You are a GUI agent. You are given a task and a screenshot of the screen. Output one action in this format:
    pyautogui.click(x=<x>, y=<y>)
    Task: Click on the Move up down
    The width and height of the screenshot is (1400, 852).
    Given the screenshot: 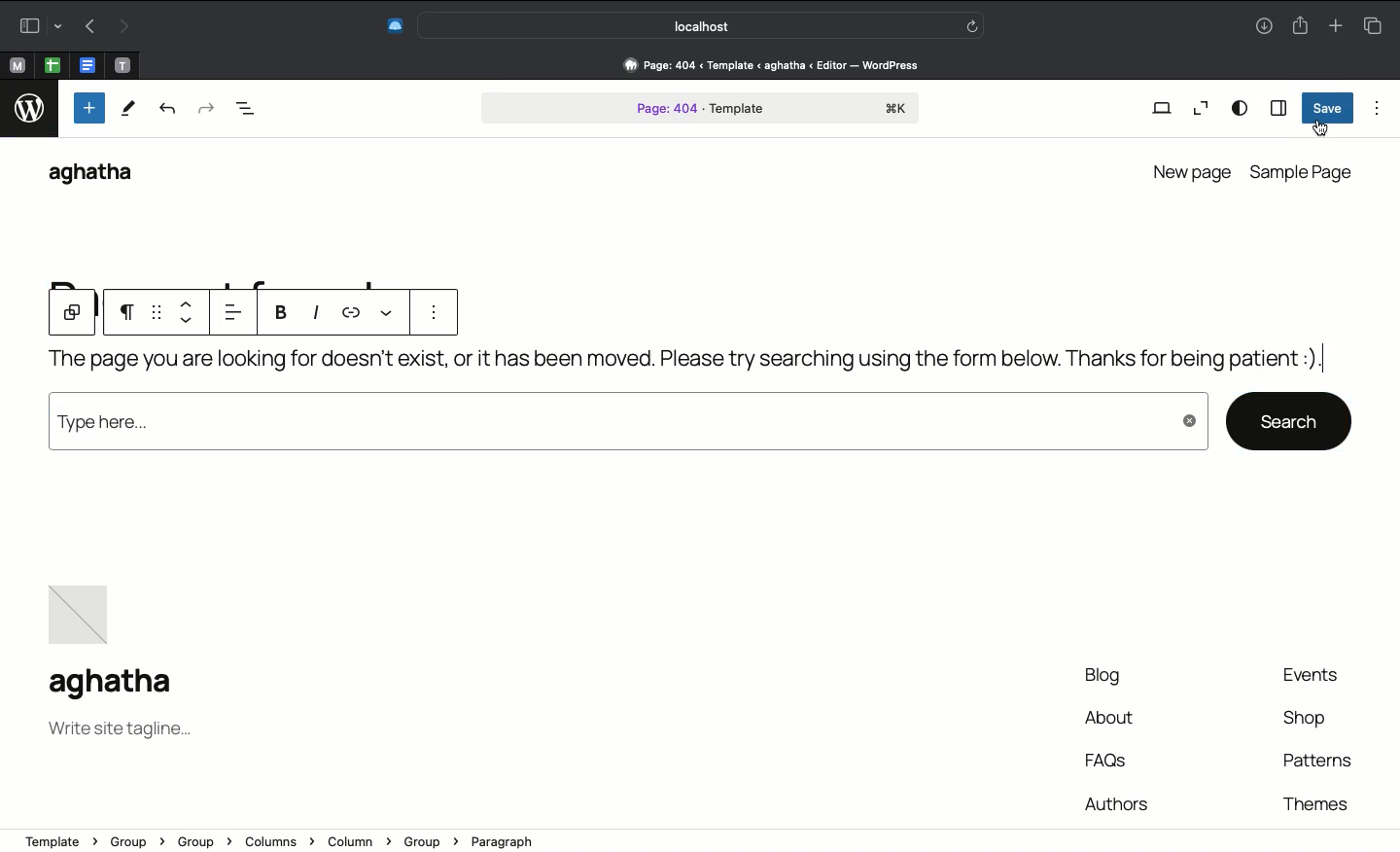 What is the action you would take?
    pyautogui.click(x=191, y=312)
    